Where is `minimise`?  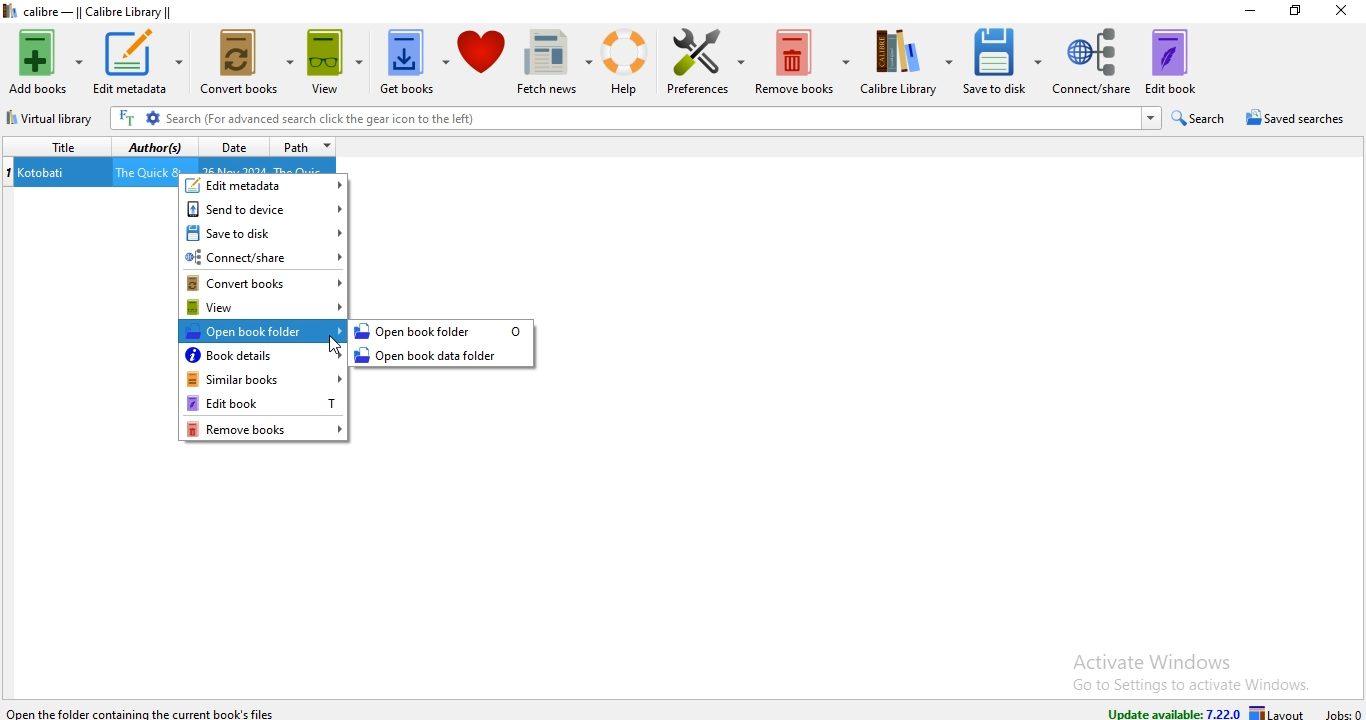 minimise is located at coordinates (1242, 13).